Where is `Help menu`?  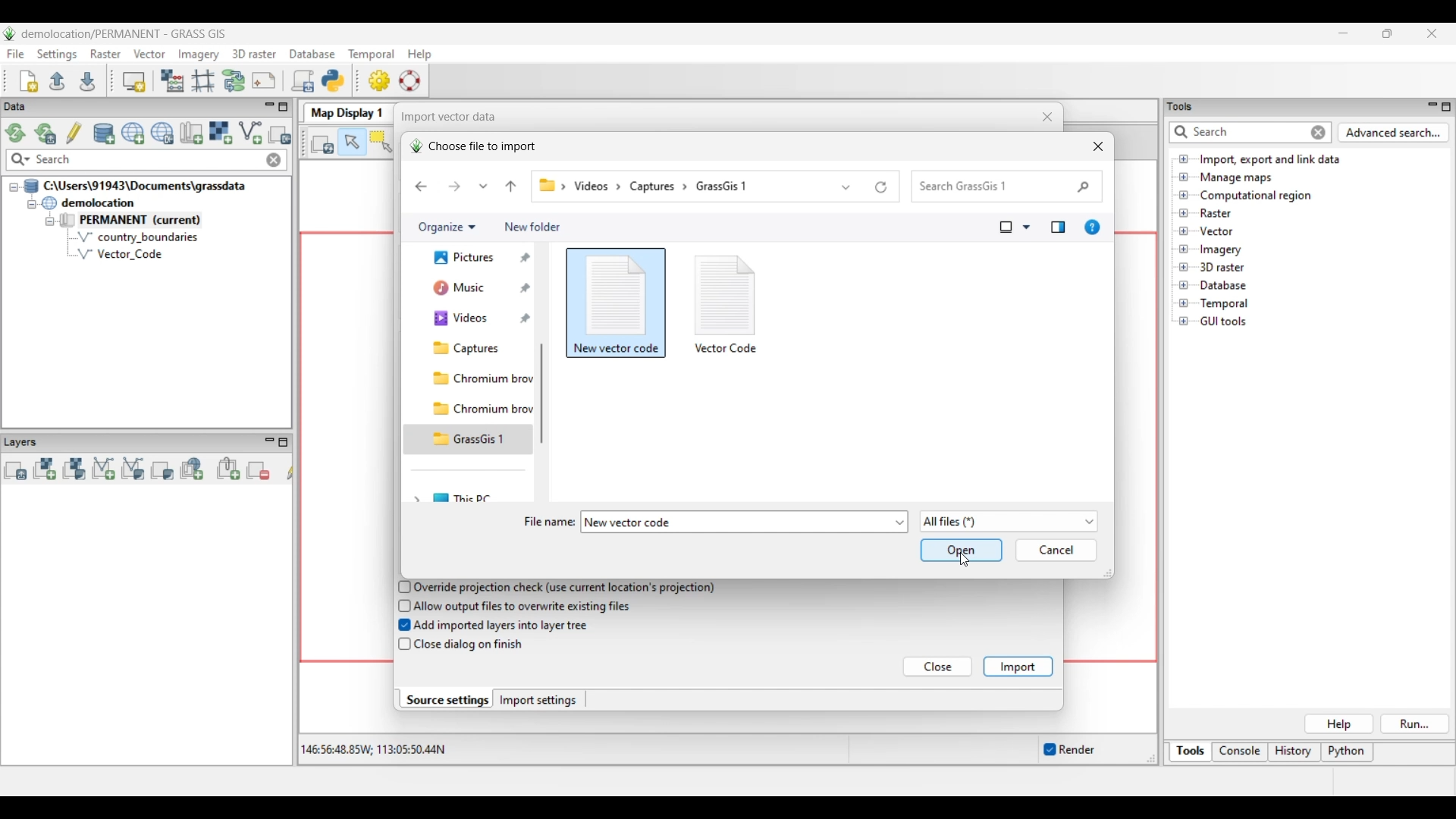
Help menu is located at coordinates (419, 54).